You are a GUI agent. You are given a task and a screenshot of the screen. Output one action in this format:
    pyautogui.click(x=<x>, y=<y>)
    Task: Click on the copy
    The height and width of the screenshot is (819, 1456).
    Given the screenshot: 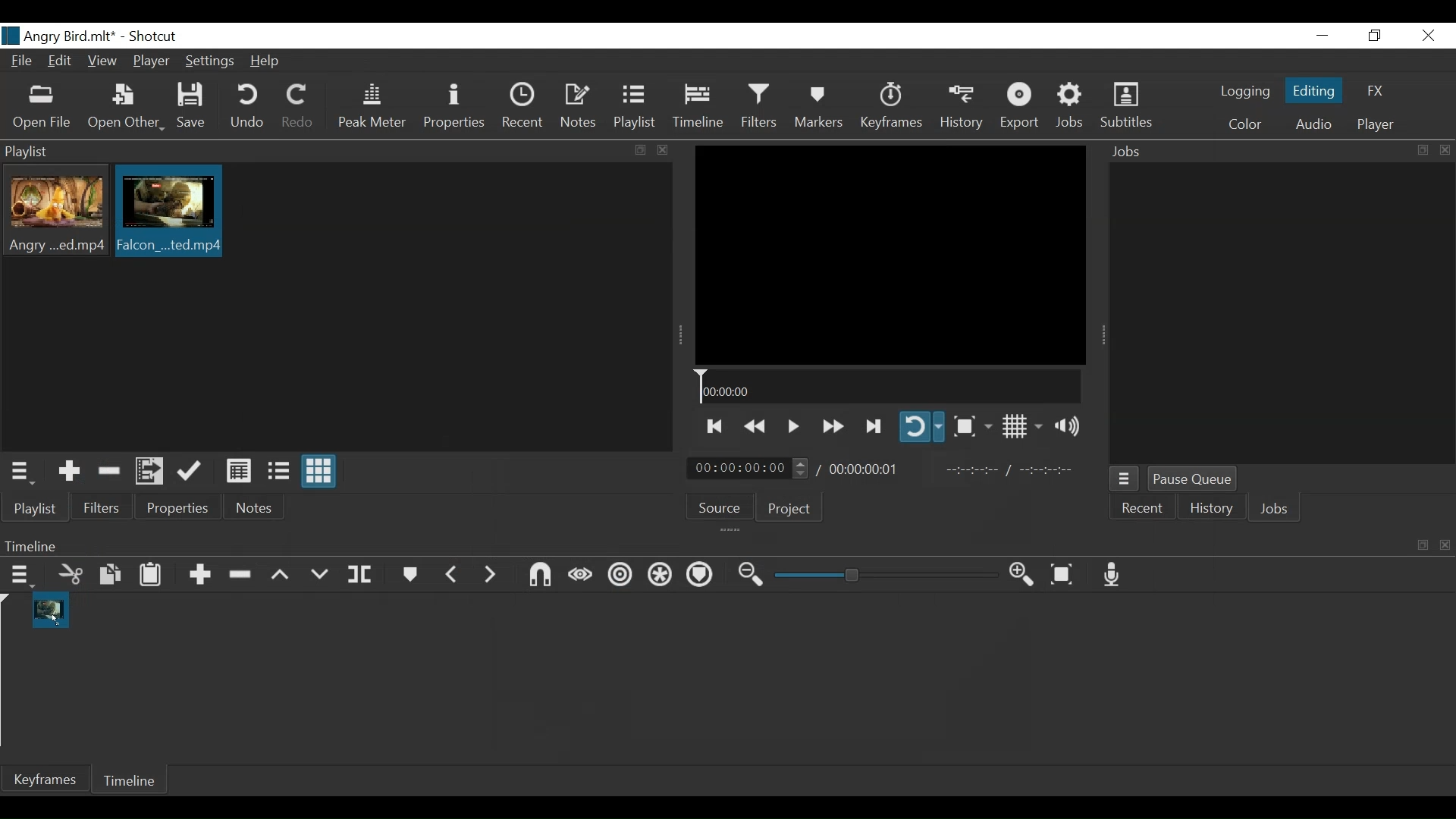 What is the action you would take?
    pyautogui.click(x=1421, y=544)
    